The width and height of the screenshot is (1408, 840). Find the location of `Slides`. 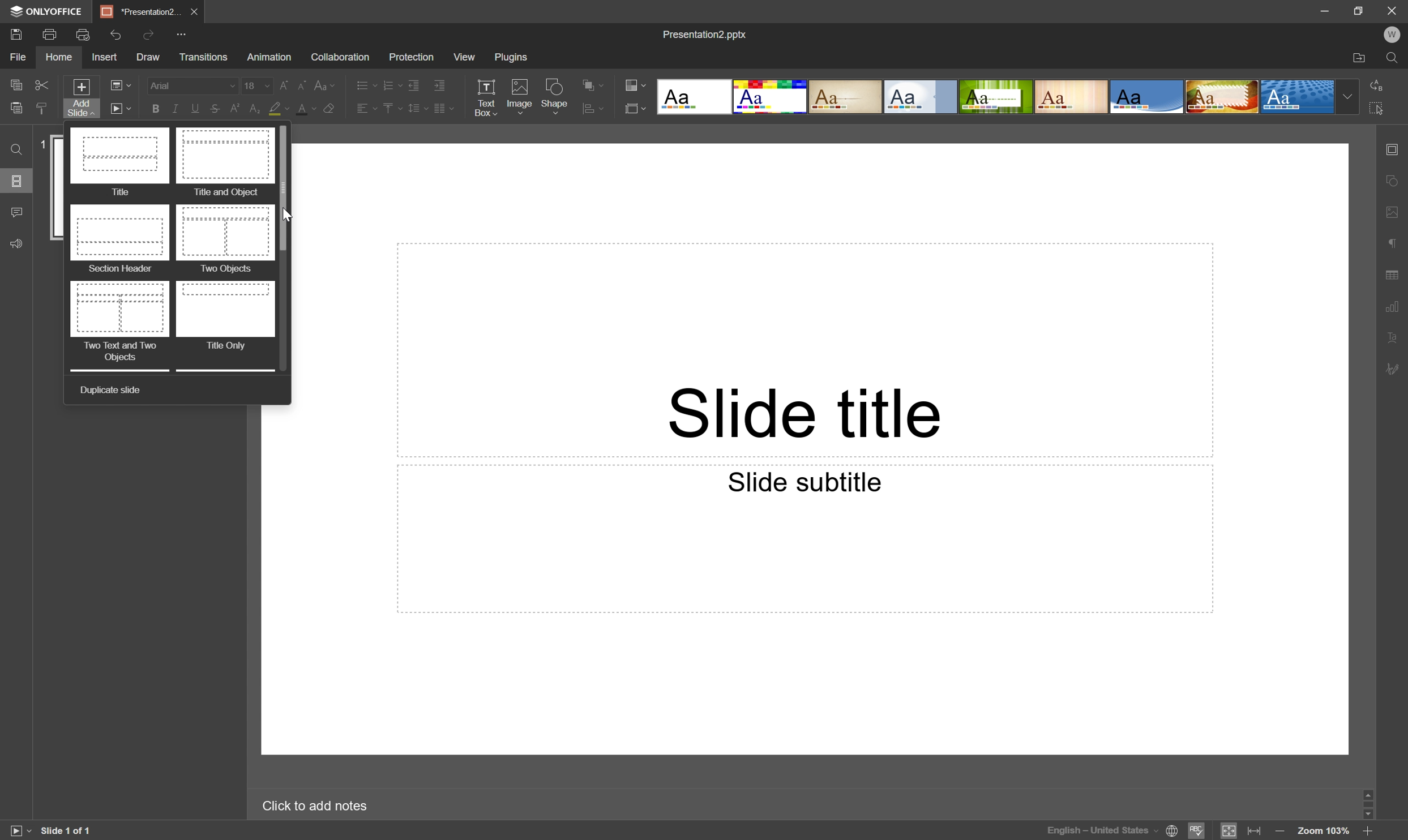

Slides is located at coordinates (18, 182).